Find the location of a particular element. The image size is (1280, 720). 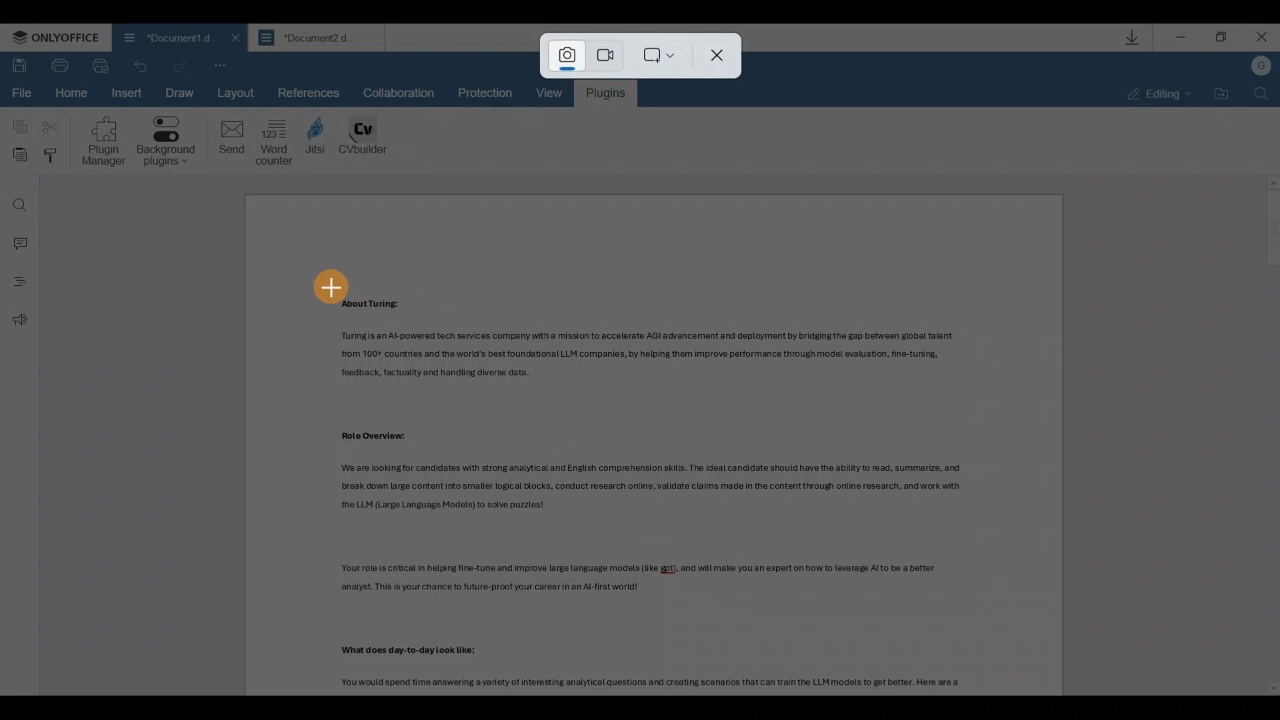

File is located at coordinates (25, 95).